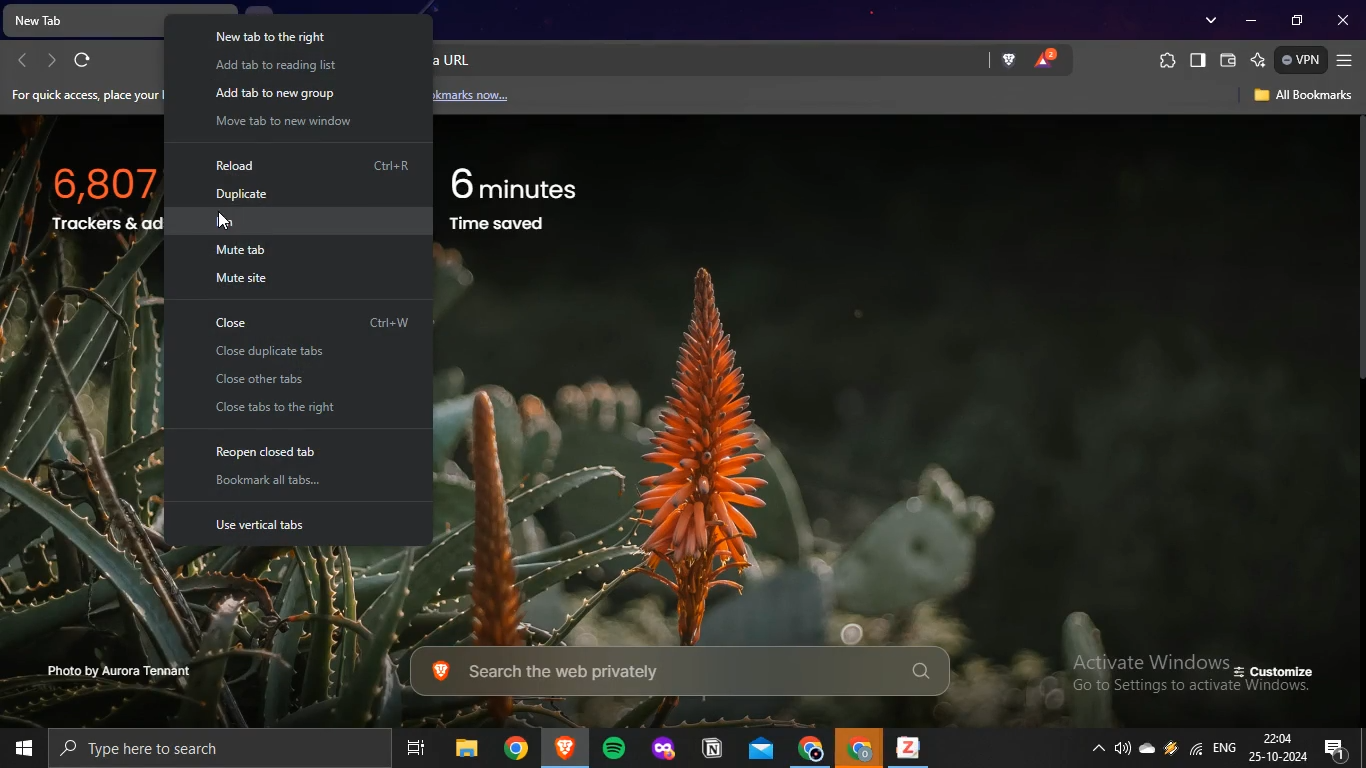 The height and width of the screenshot is (768, 1366). What do you see at coordinates (196, 749) in the screenshot?
I see `type here to search` at bounding box center [196, 749].